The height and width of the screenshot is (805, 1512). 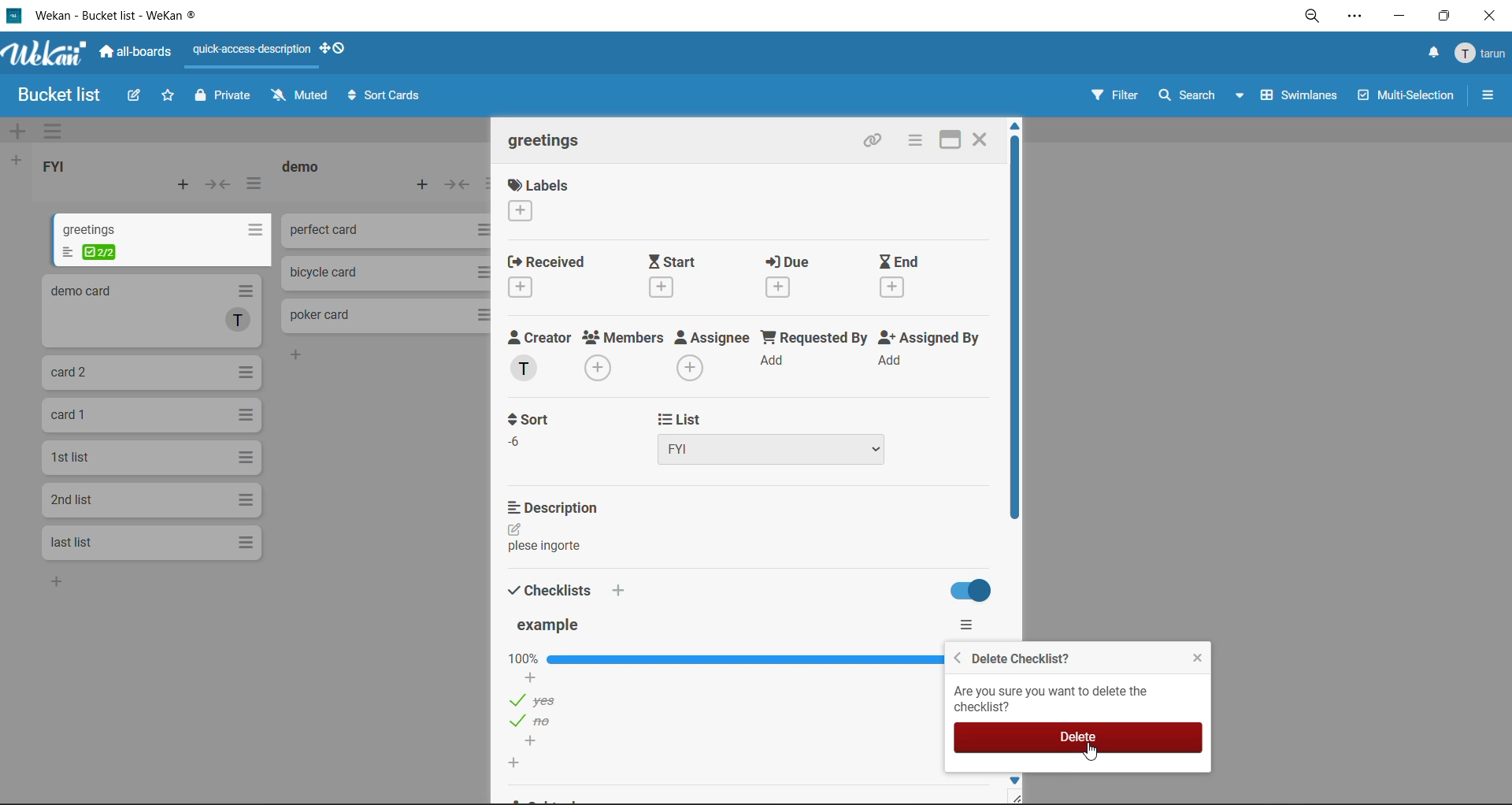 What do you see at coordinates (556, 506) in the screenshot?
I see `description` at bounding box center [556, 506].